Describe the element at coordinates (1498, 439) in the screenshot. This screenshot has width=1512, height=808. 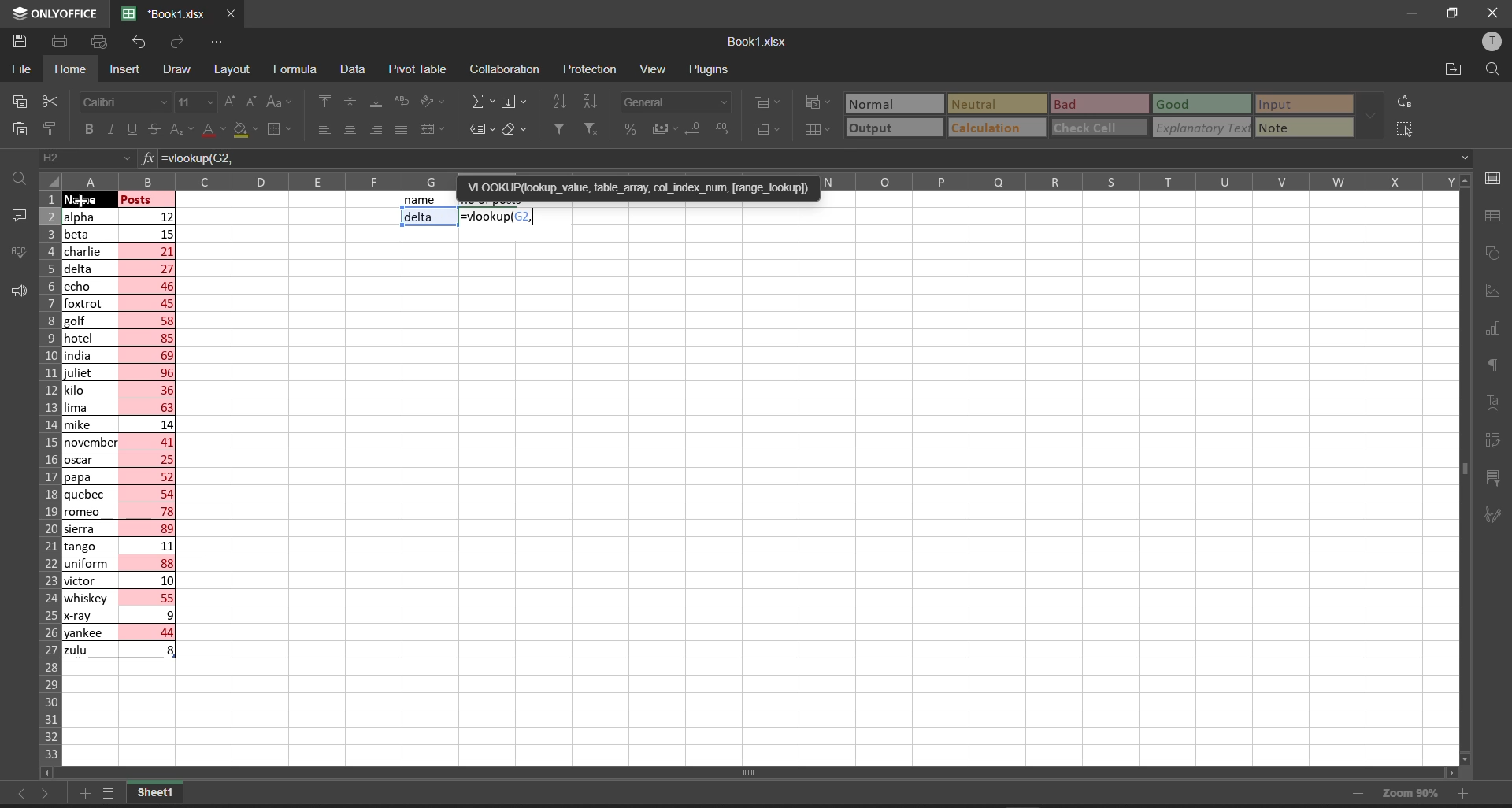
I see `pivot table settings` at that location.